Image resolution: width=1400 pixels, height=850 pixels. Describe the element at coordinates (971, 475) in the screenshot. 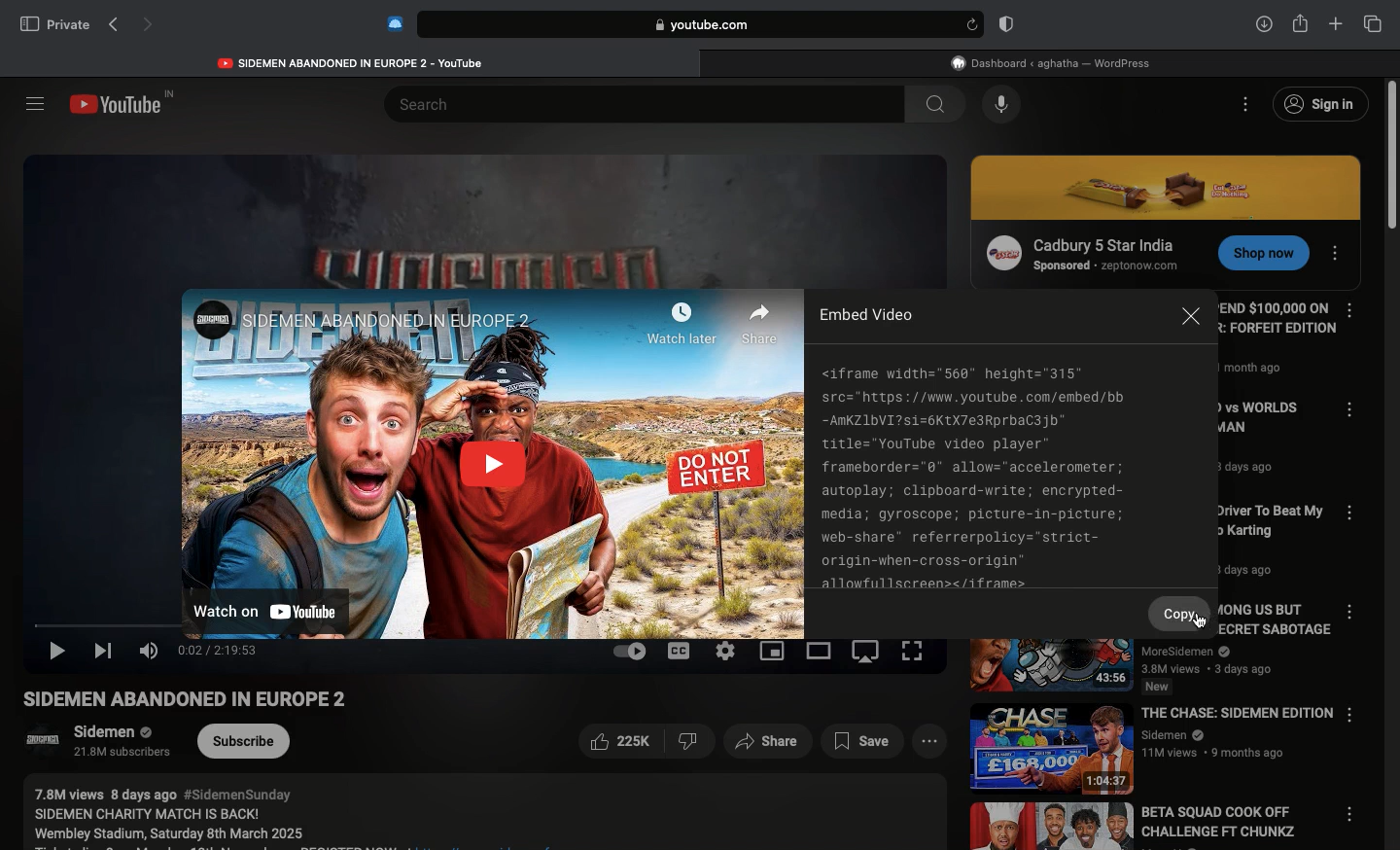

I see `Coe` at that location.